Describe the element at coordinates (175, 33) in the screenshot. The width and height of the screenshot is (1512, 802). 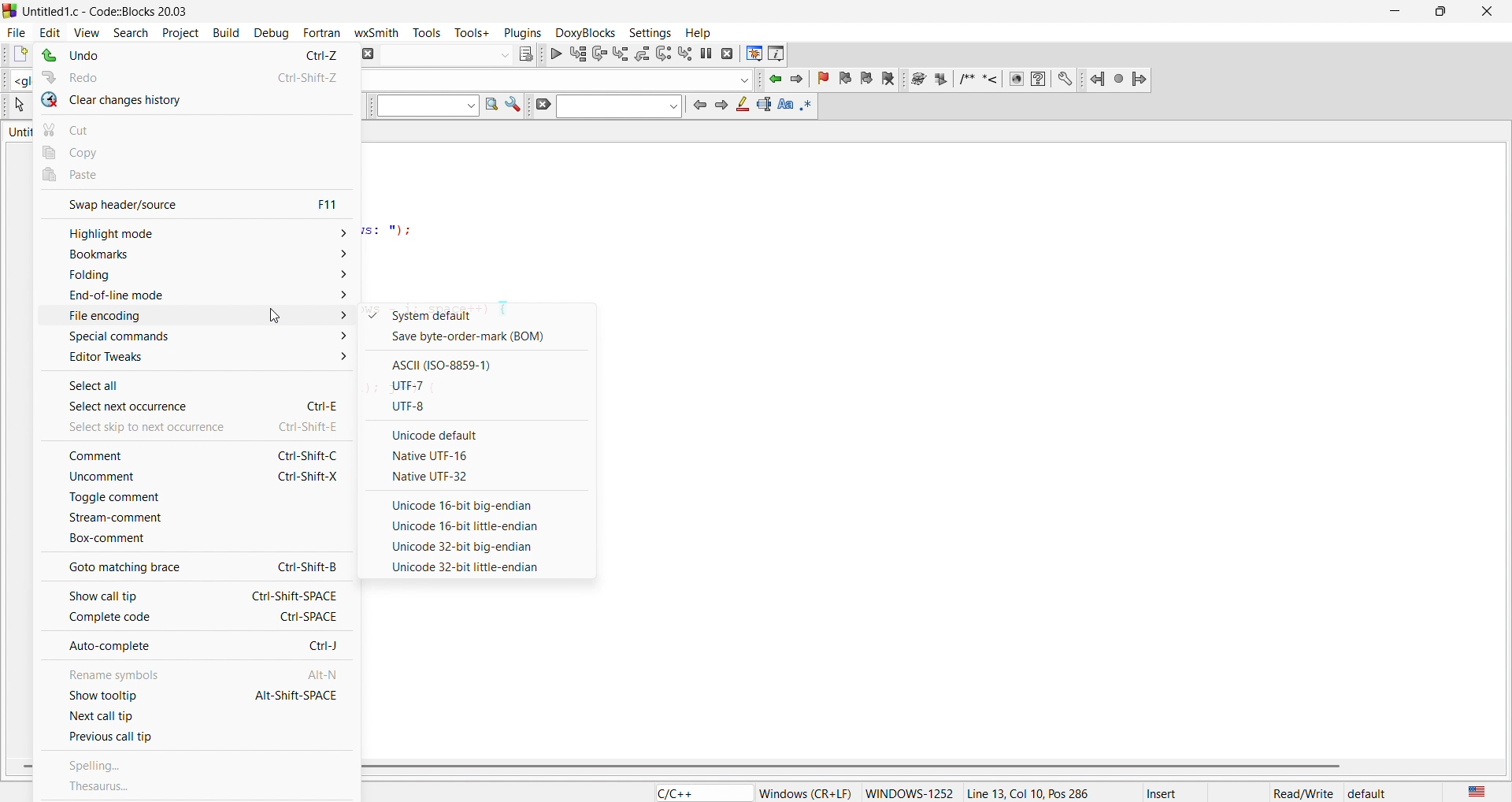
I see `project` at that location.